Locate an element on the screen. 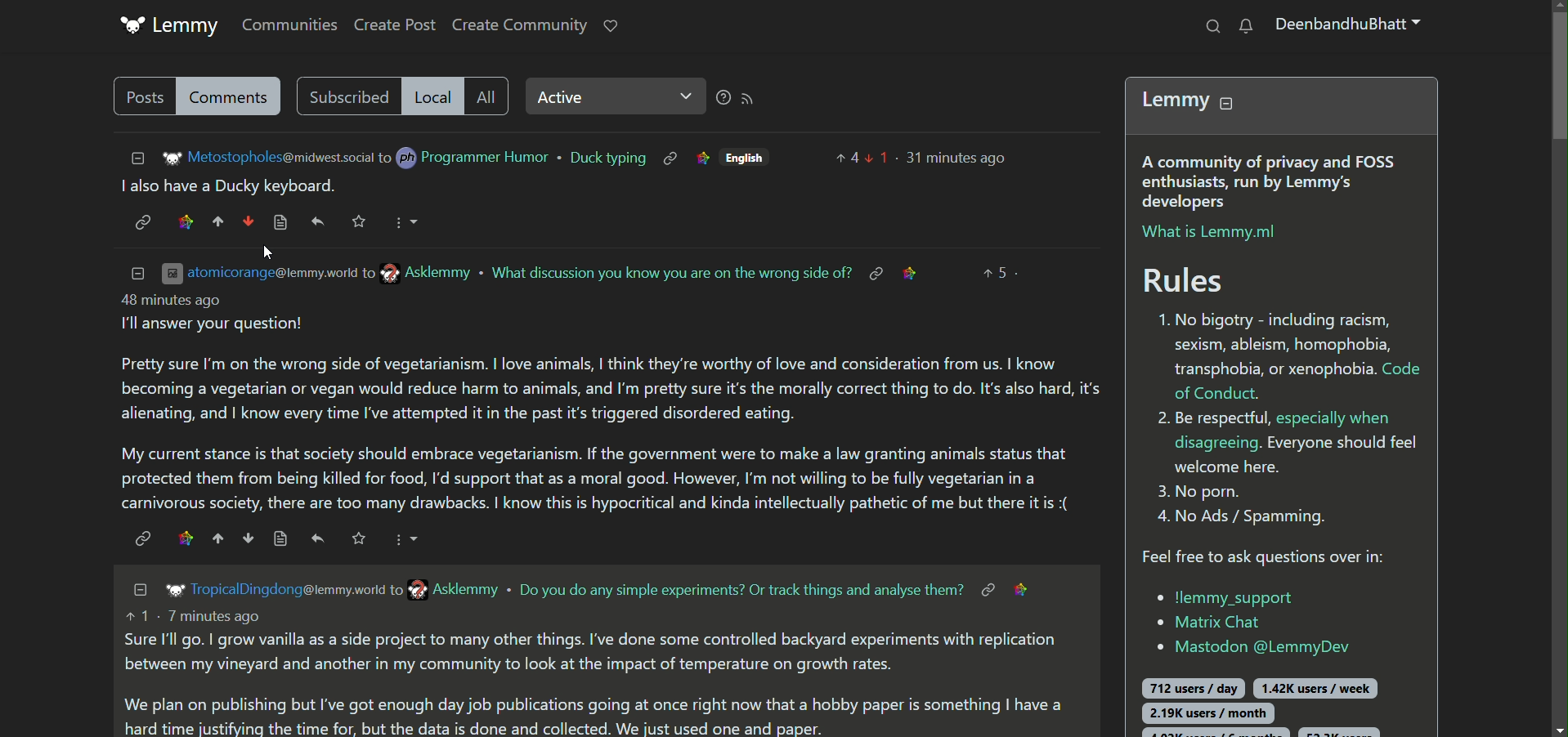 The width and height of the screenshot is (1568, 737). signal is located at coordinates (741, 97).